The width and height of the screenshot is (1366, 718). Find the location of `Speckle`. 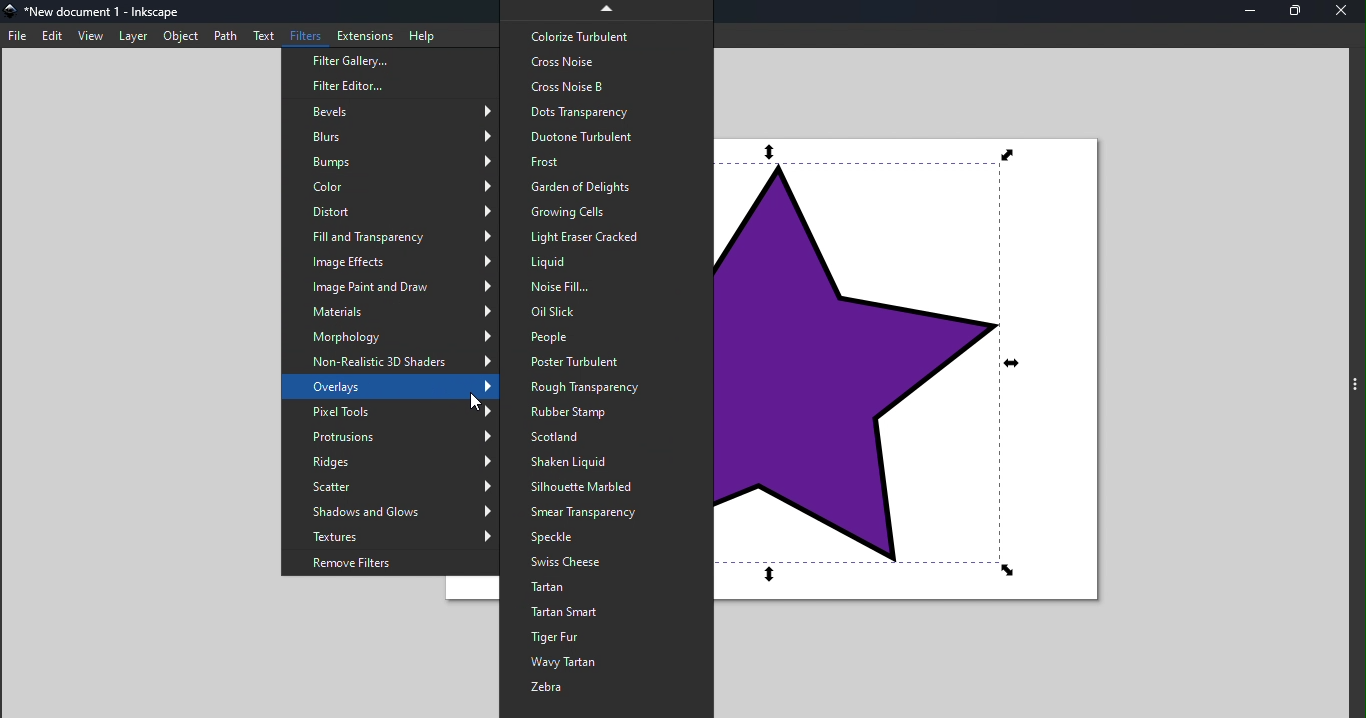

Speckle is located at coordinates (607, 538).